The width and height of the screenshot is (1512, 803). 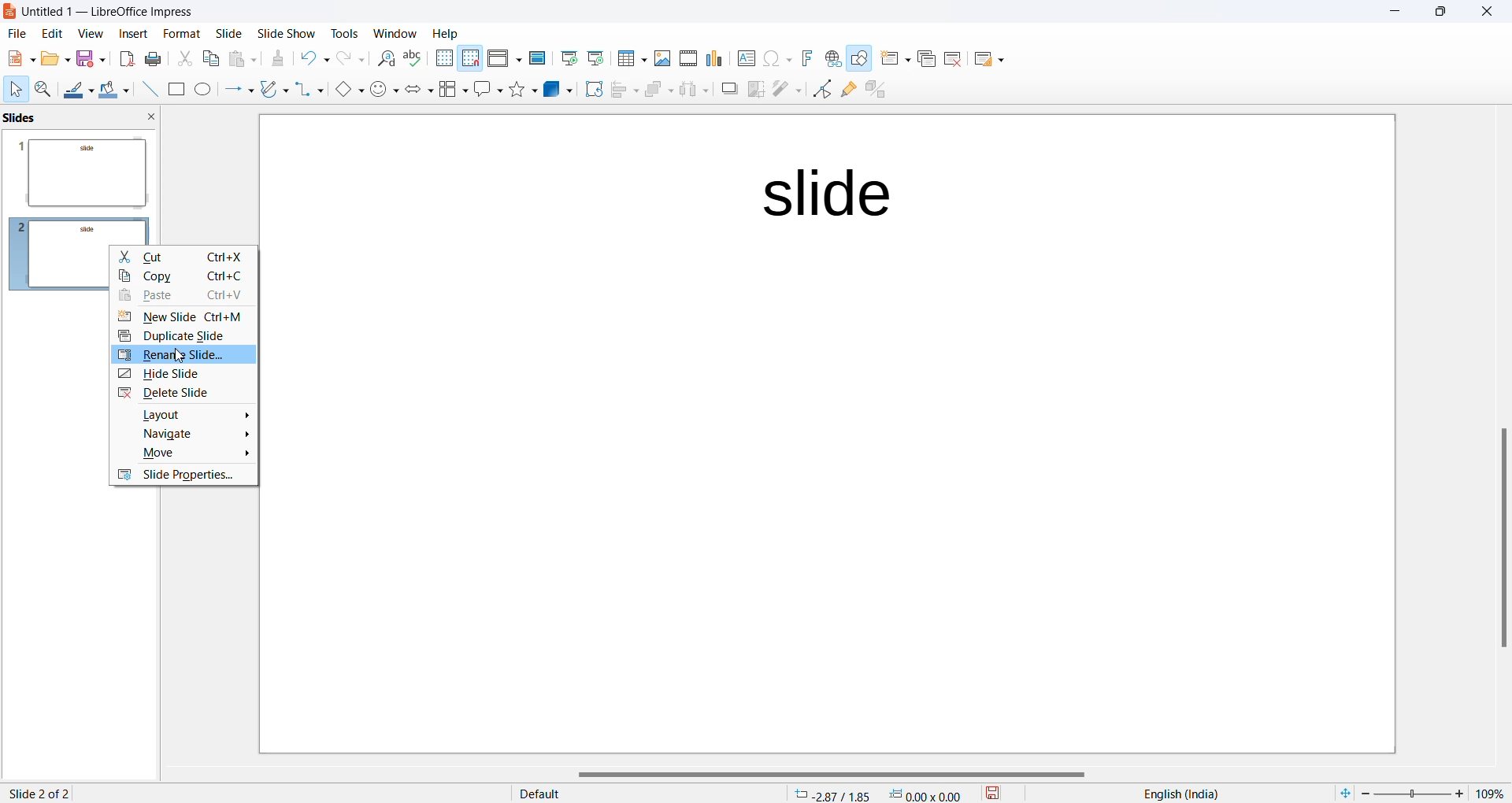 What do you see at coordinates (202, 90) in the screenshot?
I see `Ellipse` at bounding box center [202, 90].